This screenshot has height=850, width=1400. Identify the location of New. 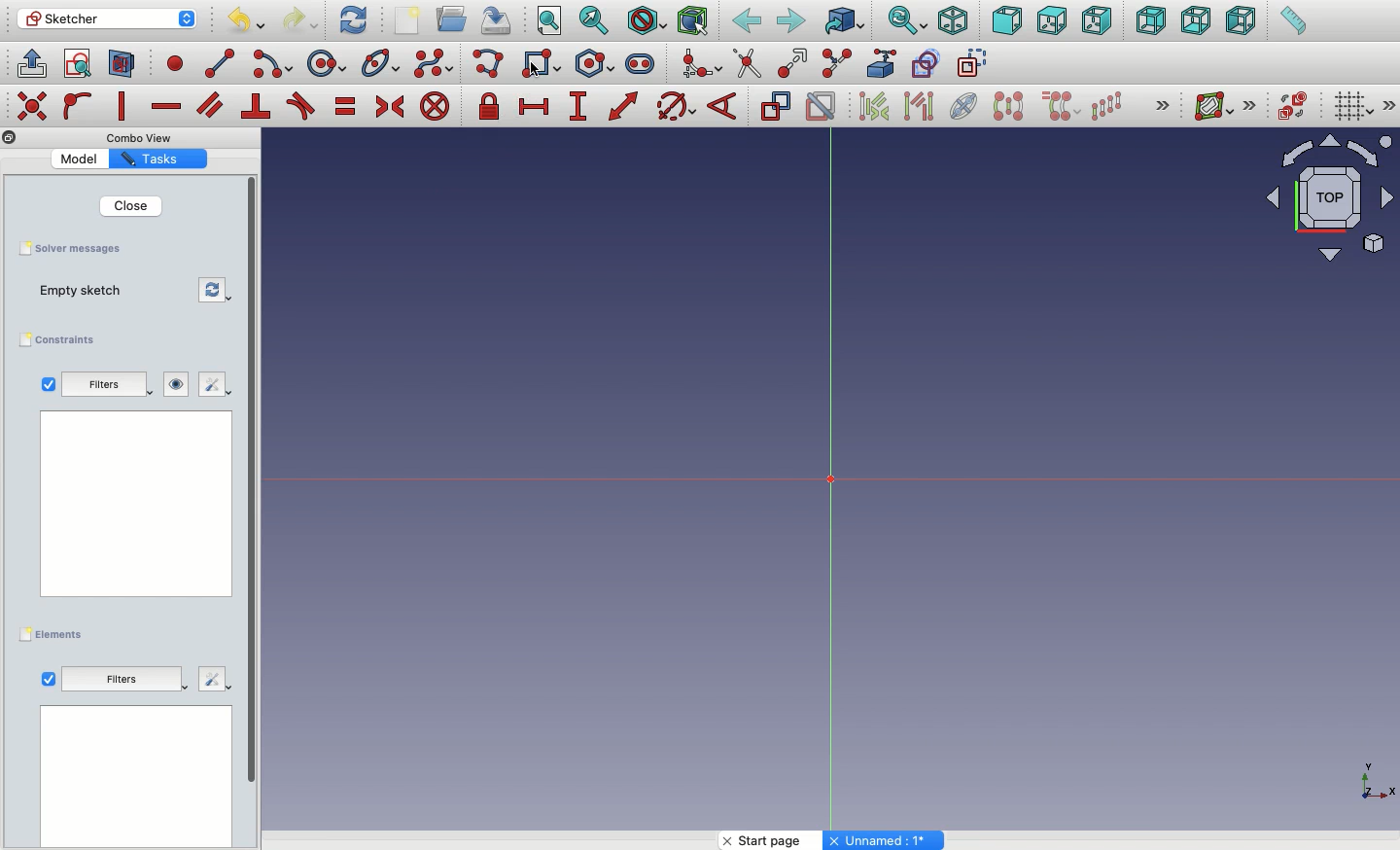
(411, 22).